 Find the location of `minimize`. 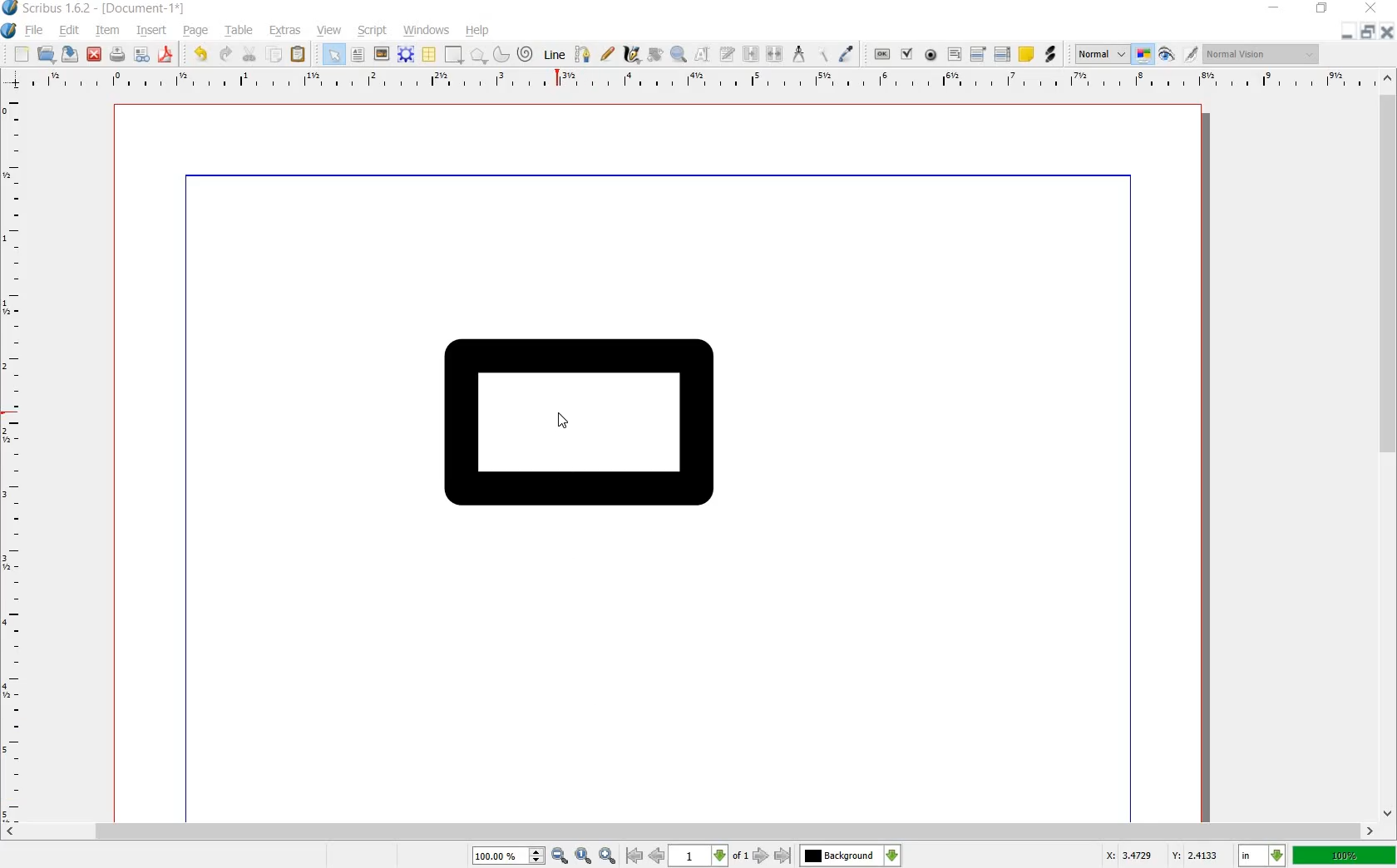

minimize is located at coordinates (1345, 32).